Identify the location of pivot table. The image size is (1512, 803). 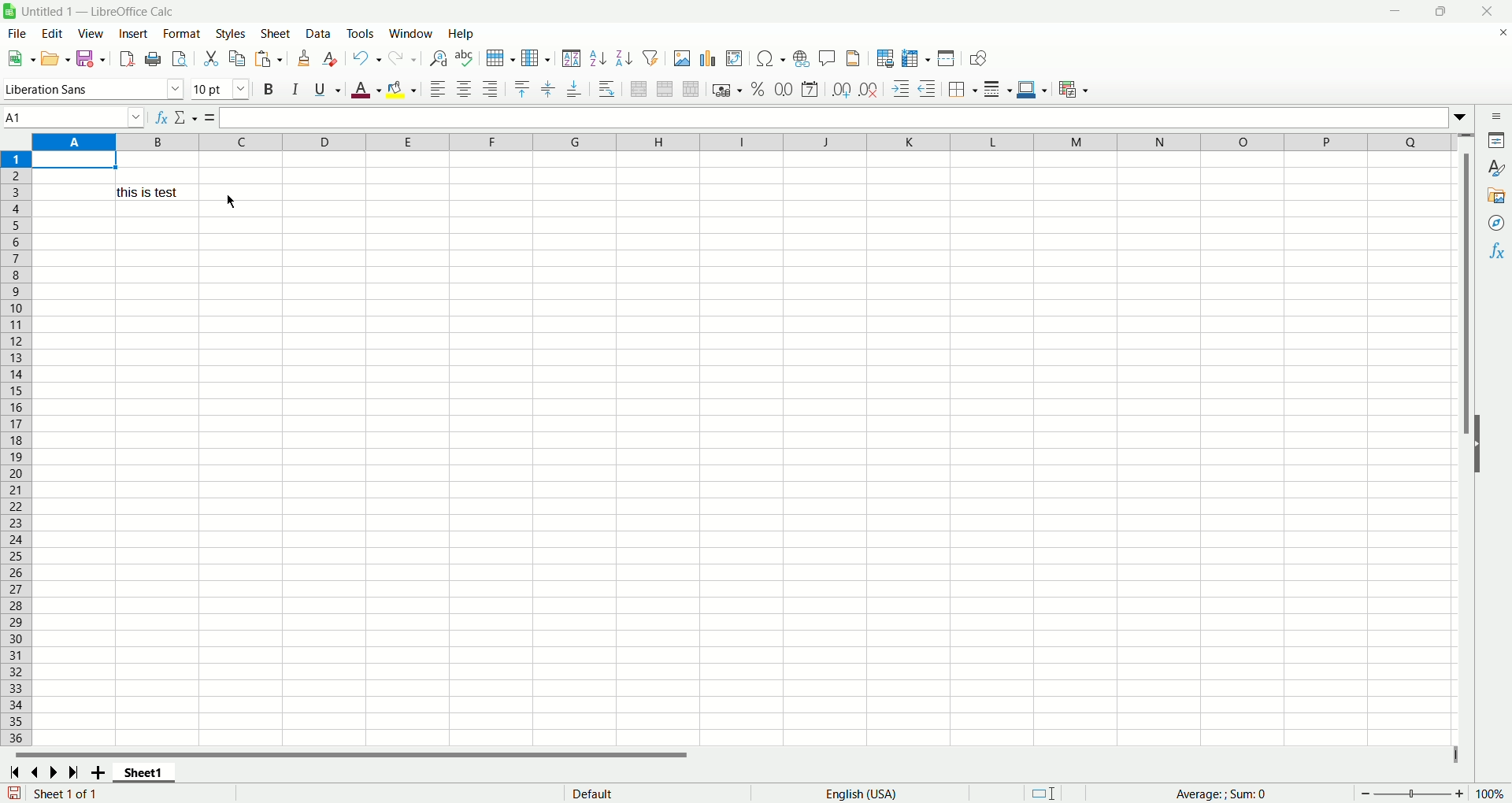
(734, 57).